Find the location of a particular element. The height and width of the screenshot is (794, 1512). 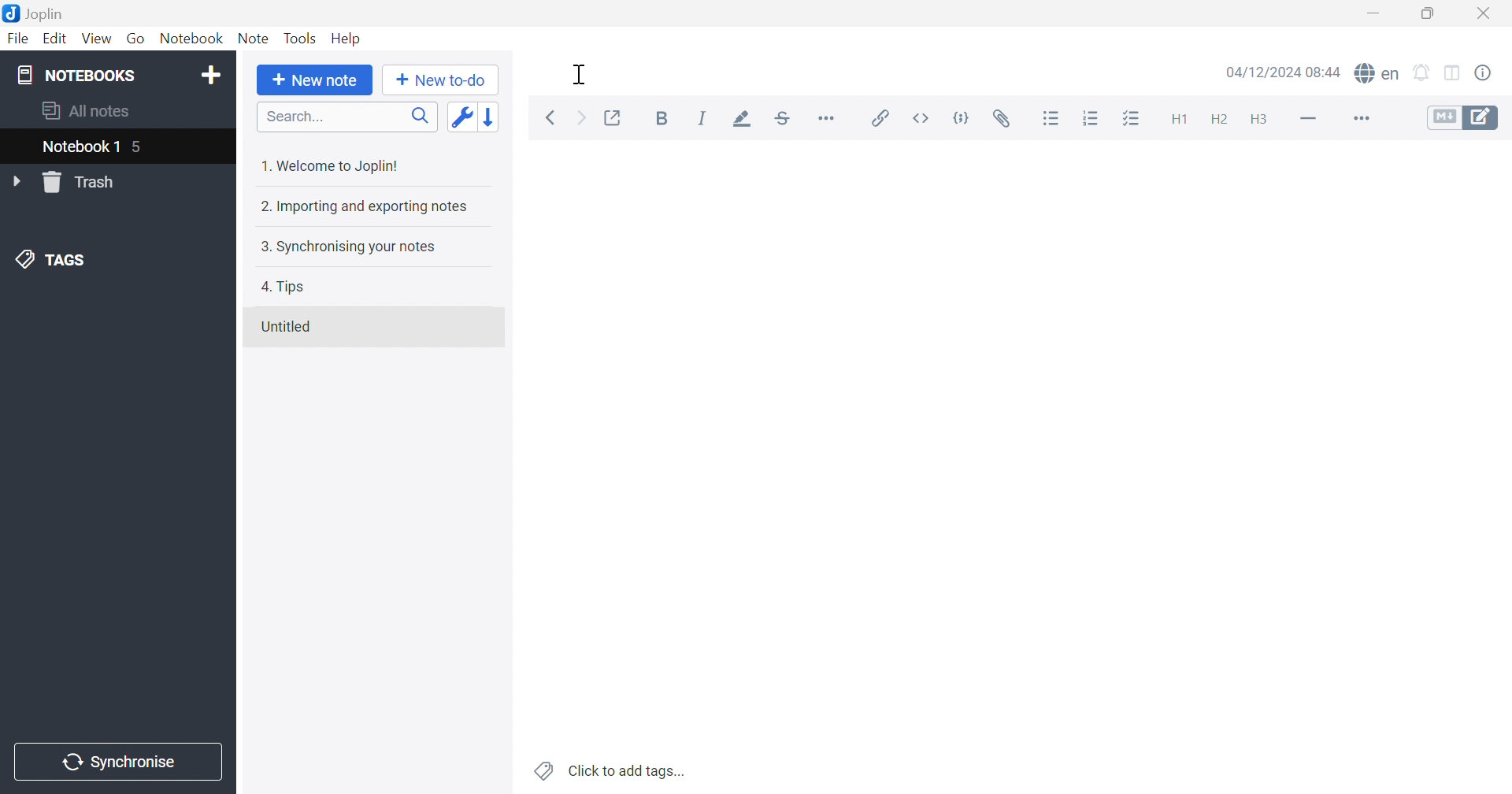

Help is located at coordinates (344, 38).